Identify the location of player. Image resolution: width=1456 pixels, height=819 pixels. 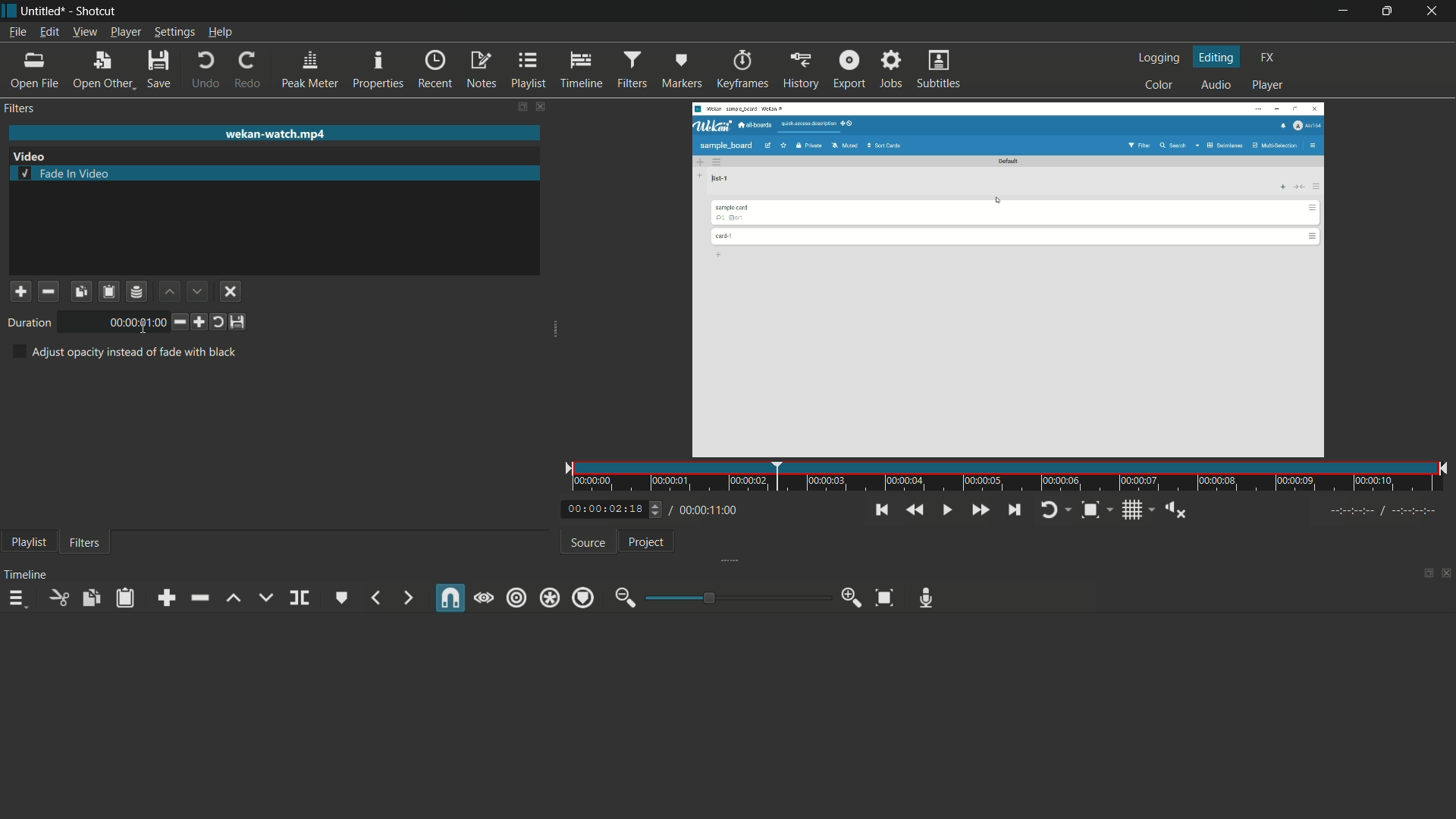
(1269, 86).